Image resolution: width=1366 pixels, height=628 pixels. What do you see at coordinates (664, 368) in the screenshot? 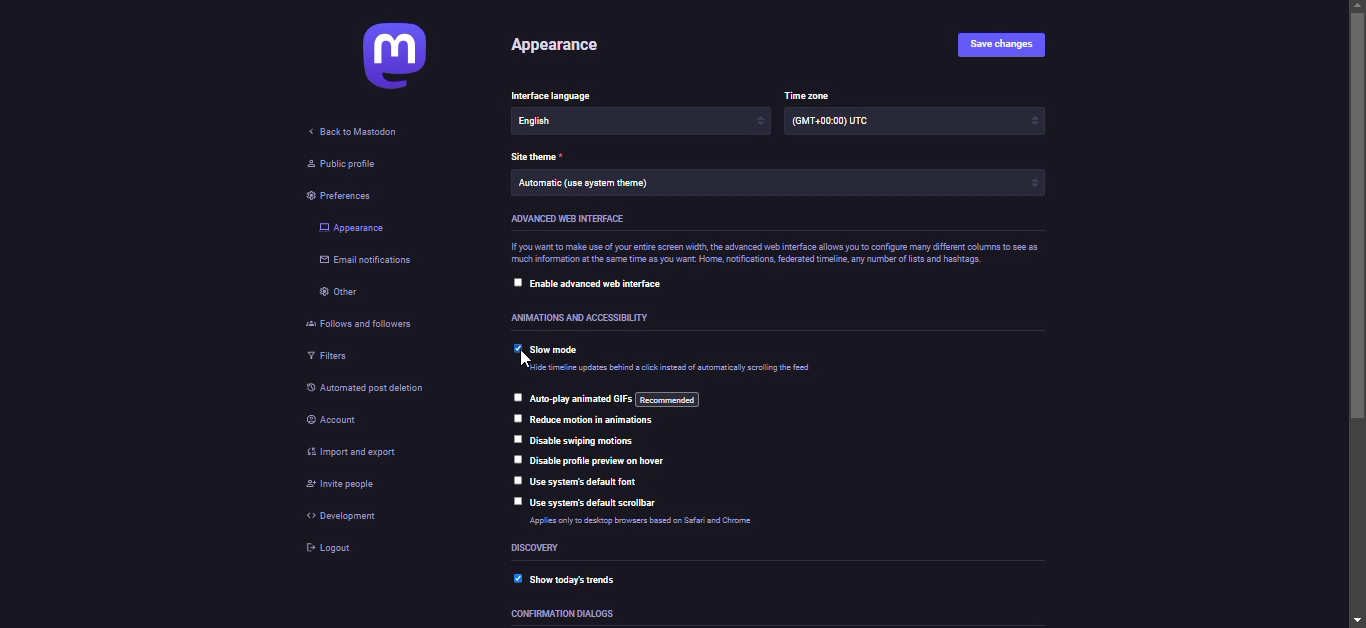
I see `Hide timeline updates behind a click instead of automatically scrolling the tool.` at bounding box center [664, 368].